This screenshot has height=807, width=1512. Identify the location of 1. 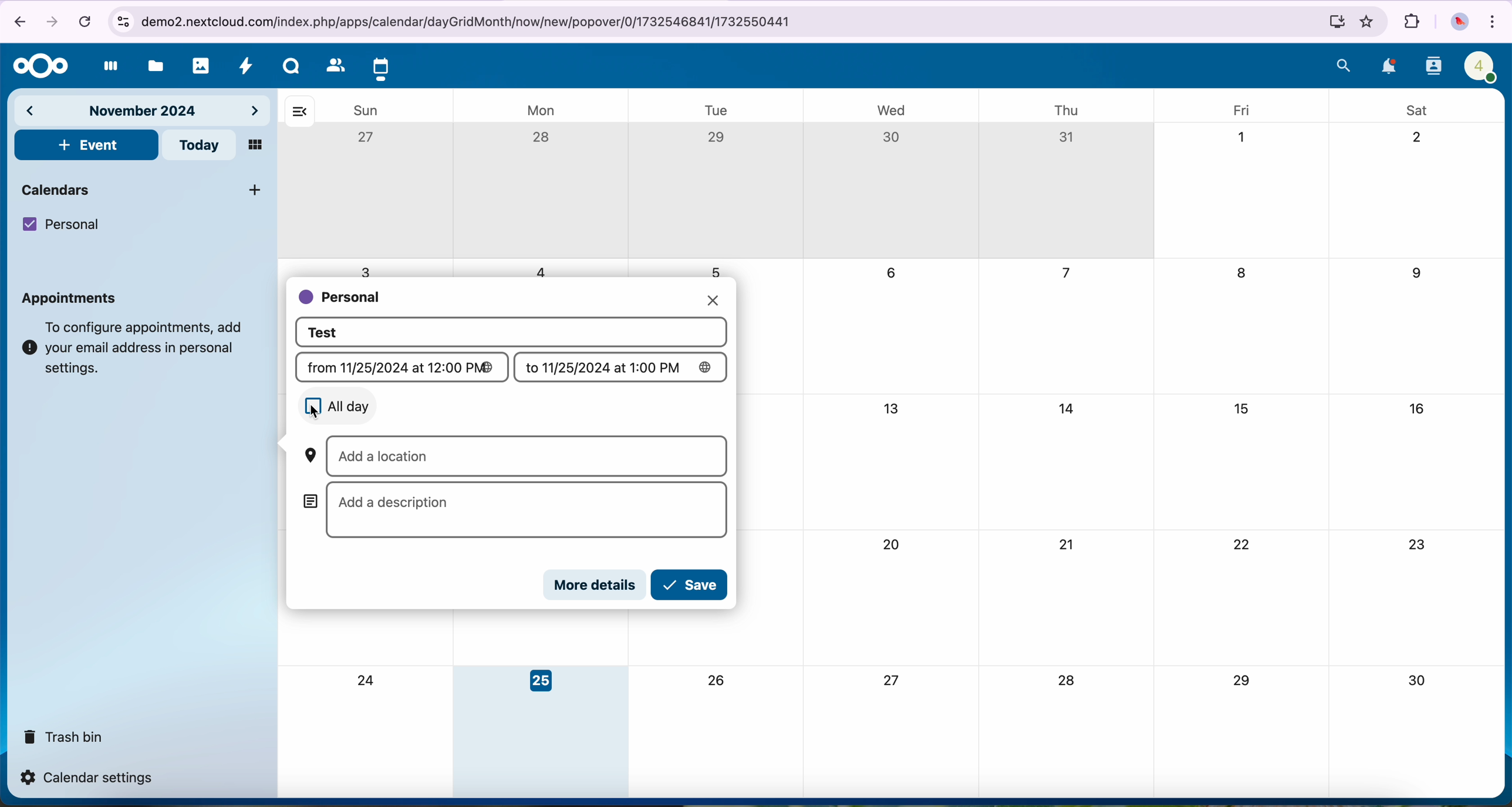
(1241, 137).